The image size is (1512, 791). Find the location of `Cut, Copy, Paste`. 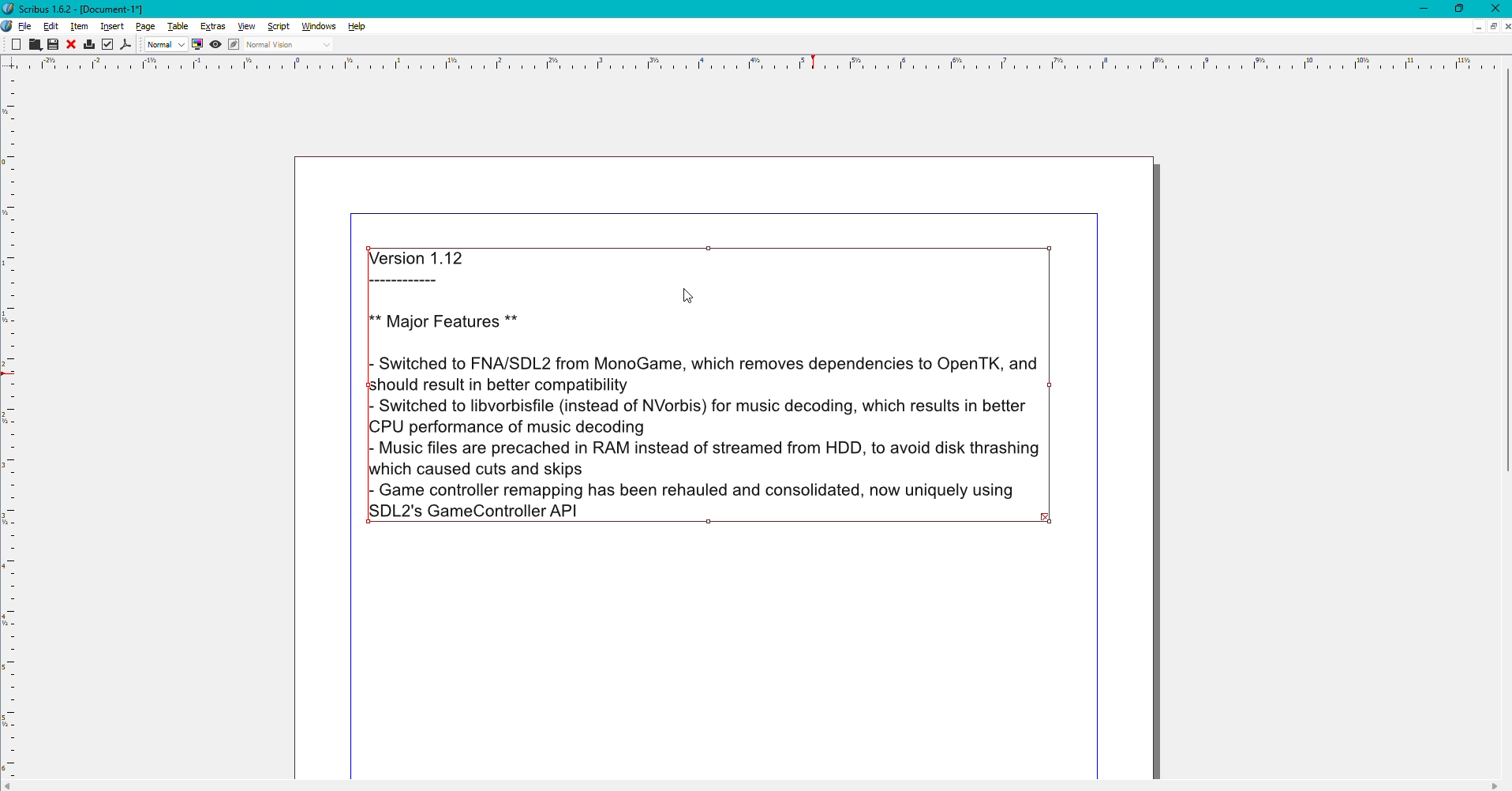

Cut, Copy, Paste is located at coordinates (35, 45).